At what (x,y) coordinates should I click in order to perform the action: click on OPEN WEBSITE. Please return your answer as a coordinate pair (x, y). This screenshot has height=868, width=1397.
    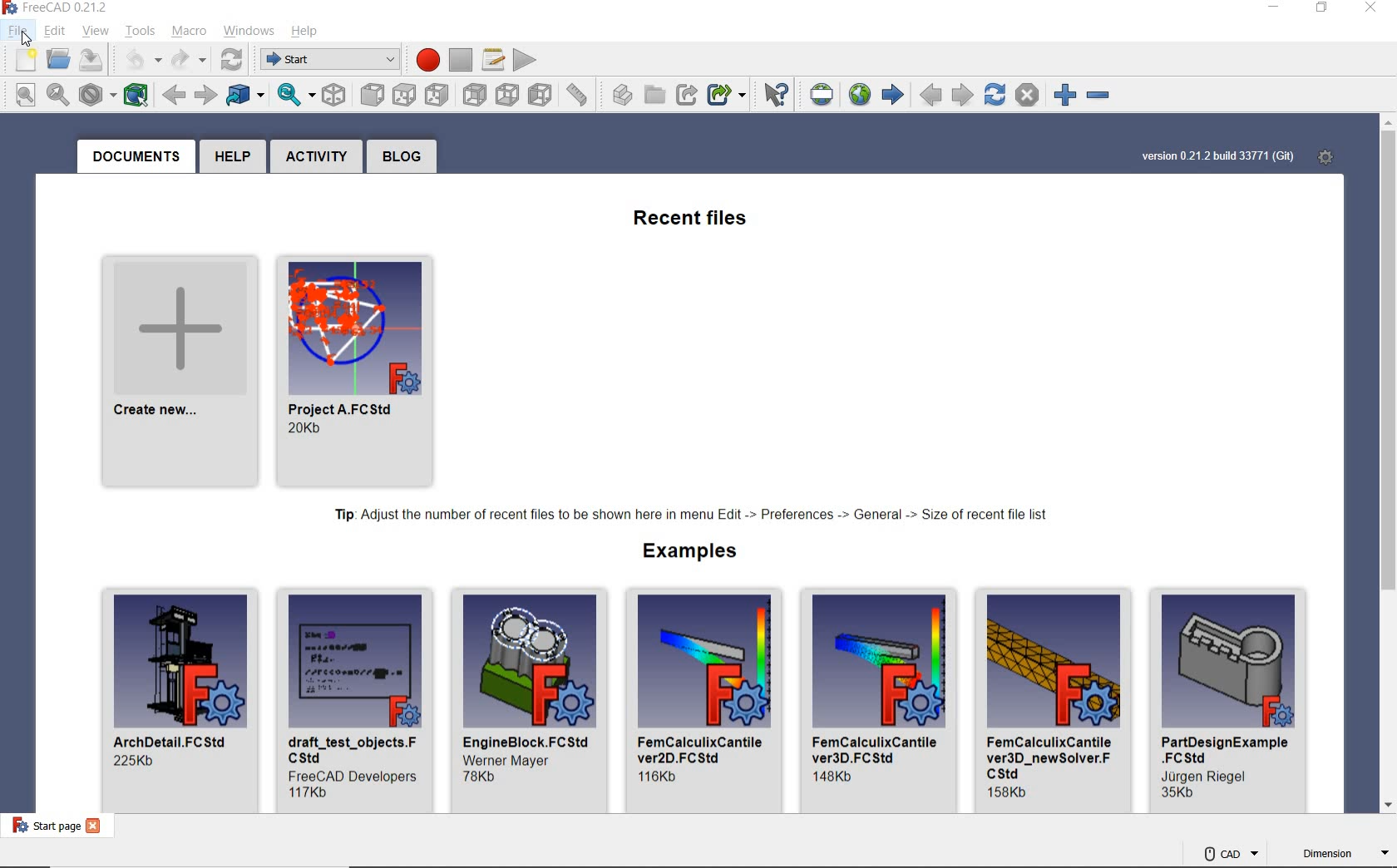
    Looking at the image, I should click on (857, 94).